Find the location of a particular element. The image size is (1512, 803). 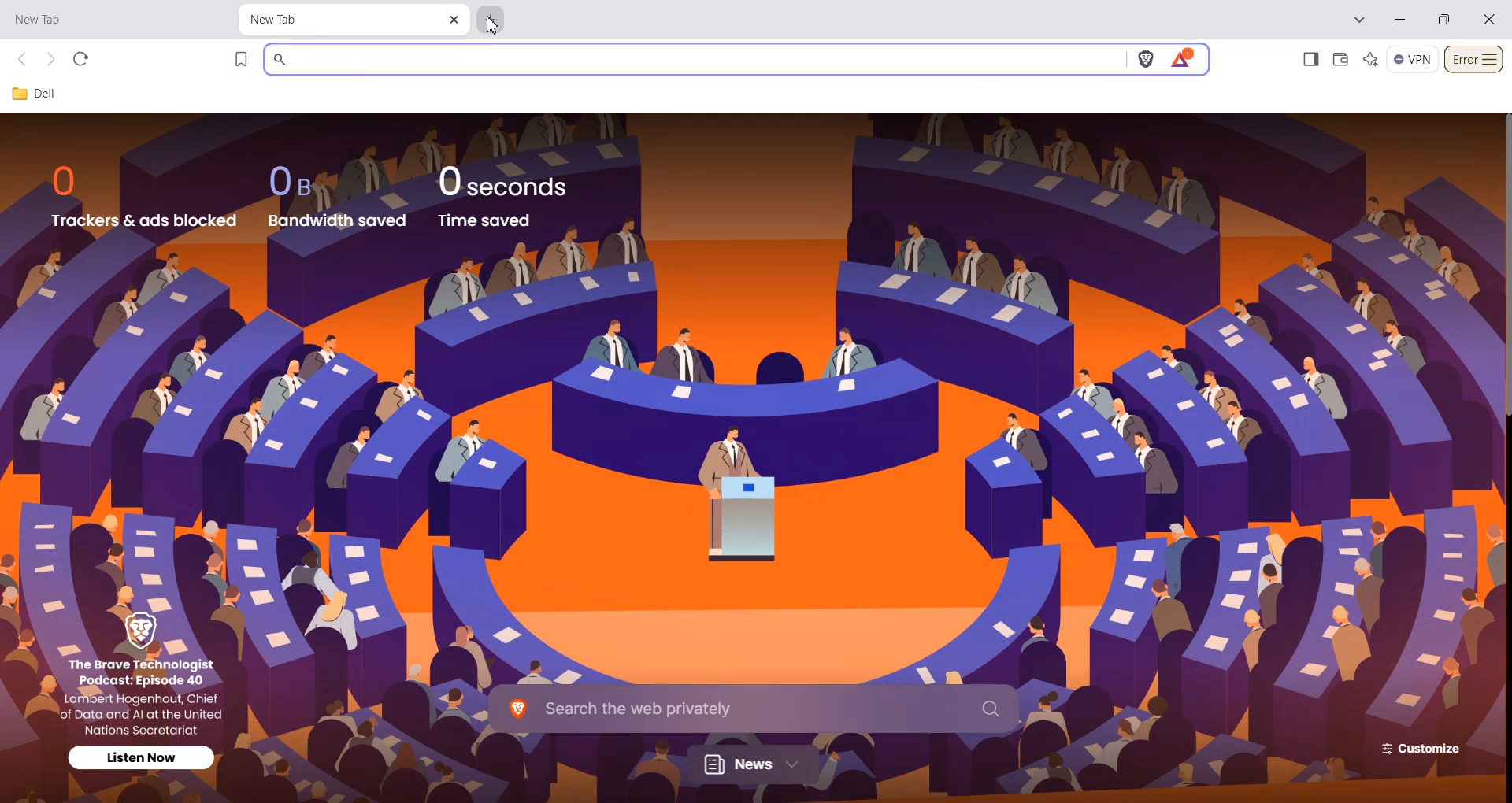

New Tab is located at coordinates (102, 20).